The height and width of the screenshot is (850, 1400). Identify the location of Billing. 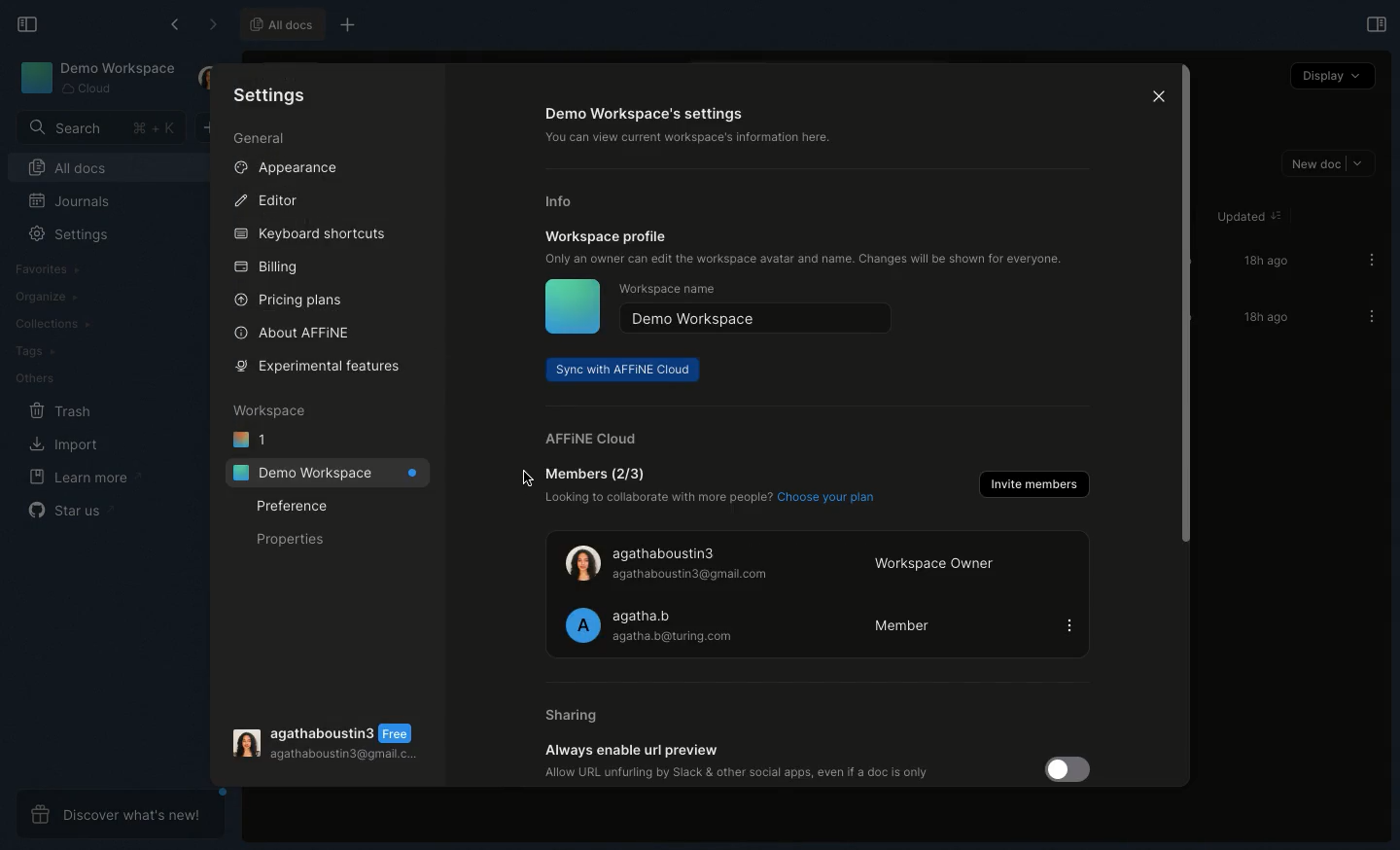
(271, 266).